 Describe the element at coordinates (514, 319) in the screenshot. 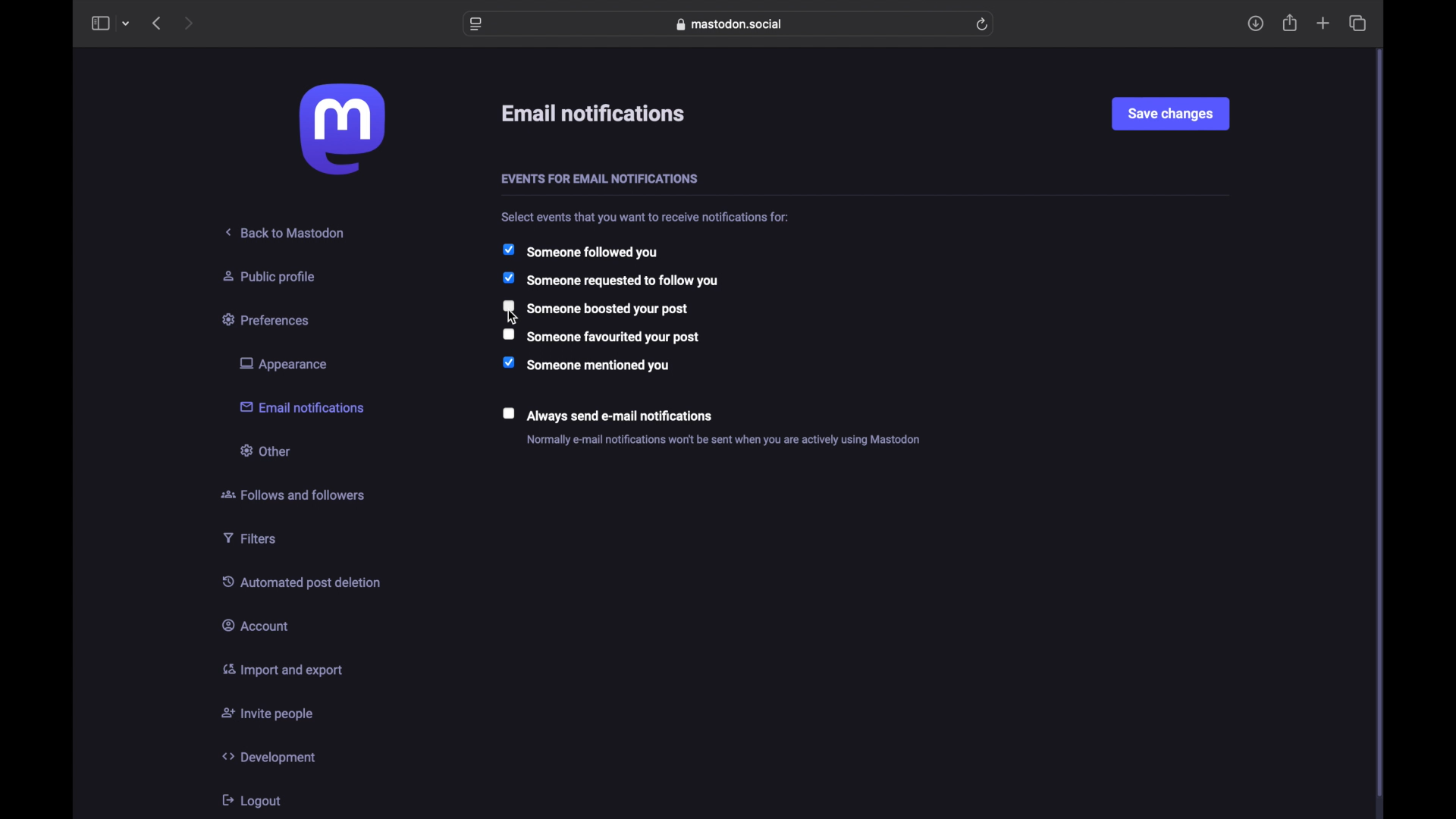

I see `cursor` at that location.